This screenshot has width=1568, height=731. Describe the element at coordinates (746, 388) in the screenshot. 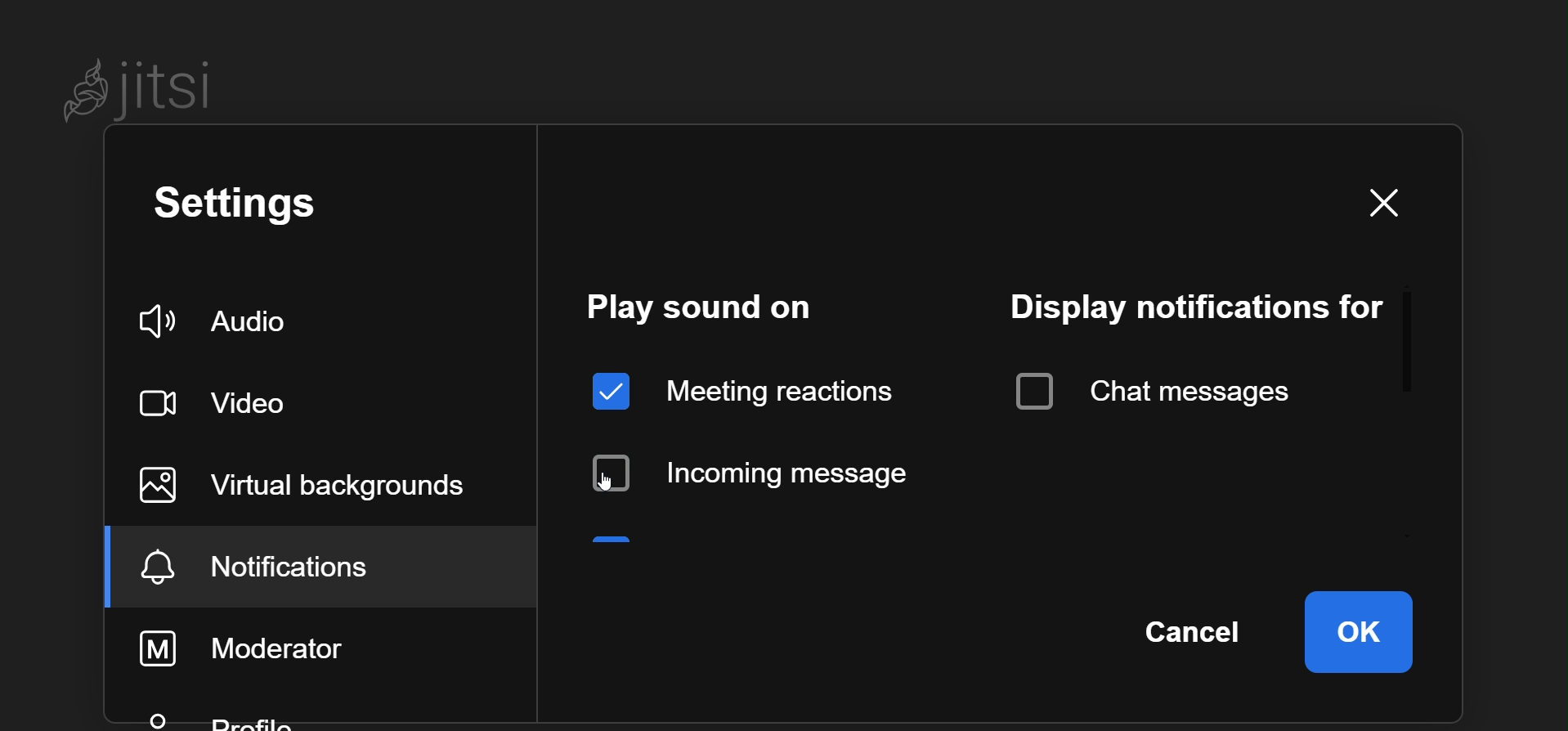

I see `meeting reaction` at that location.